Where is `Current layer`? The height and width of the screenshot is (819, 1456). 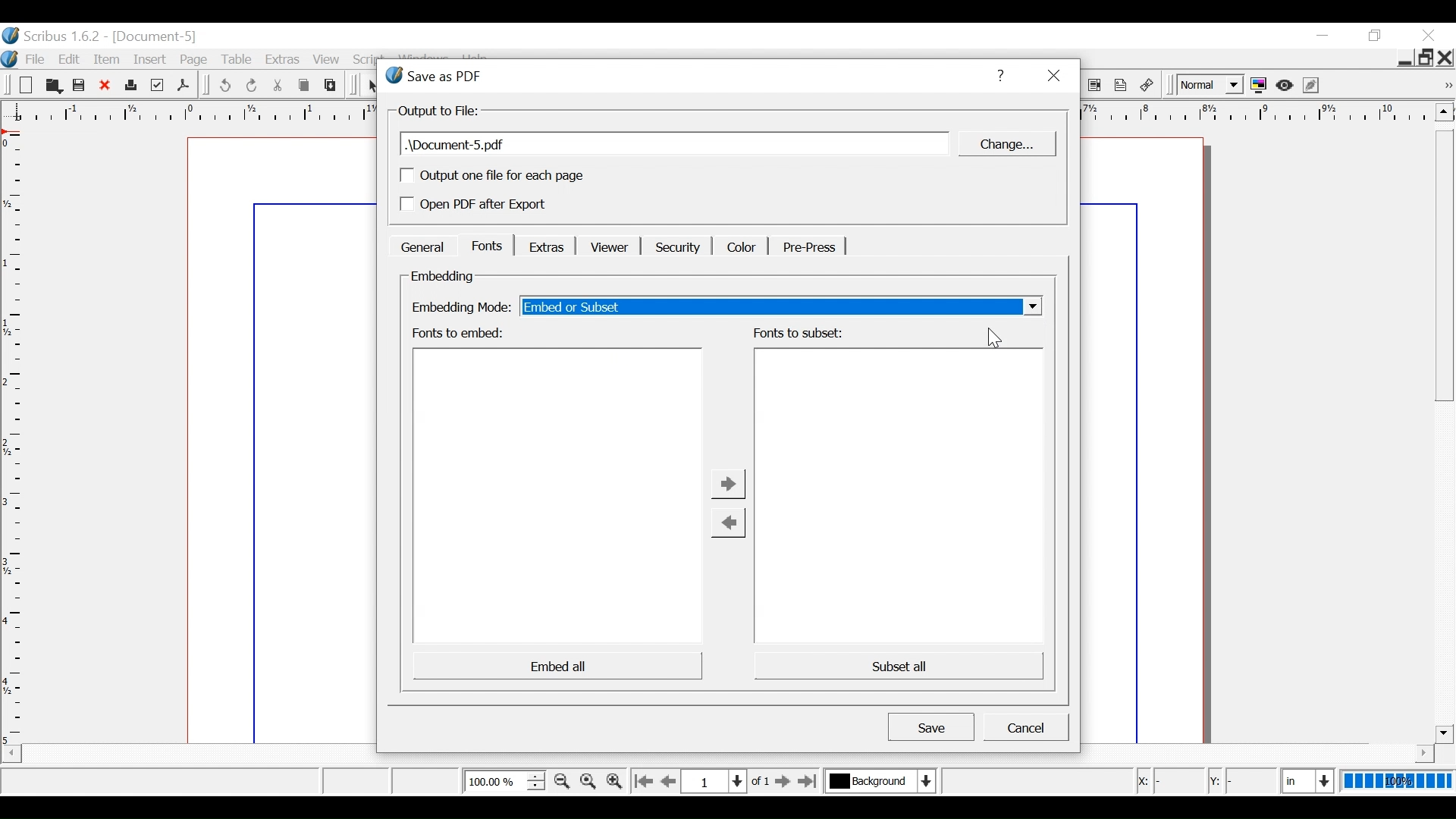
Current layer is located at coordinates (880, 780).